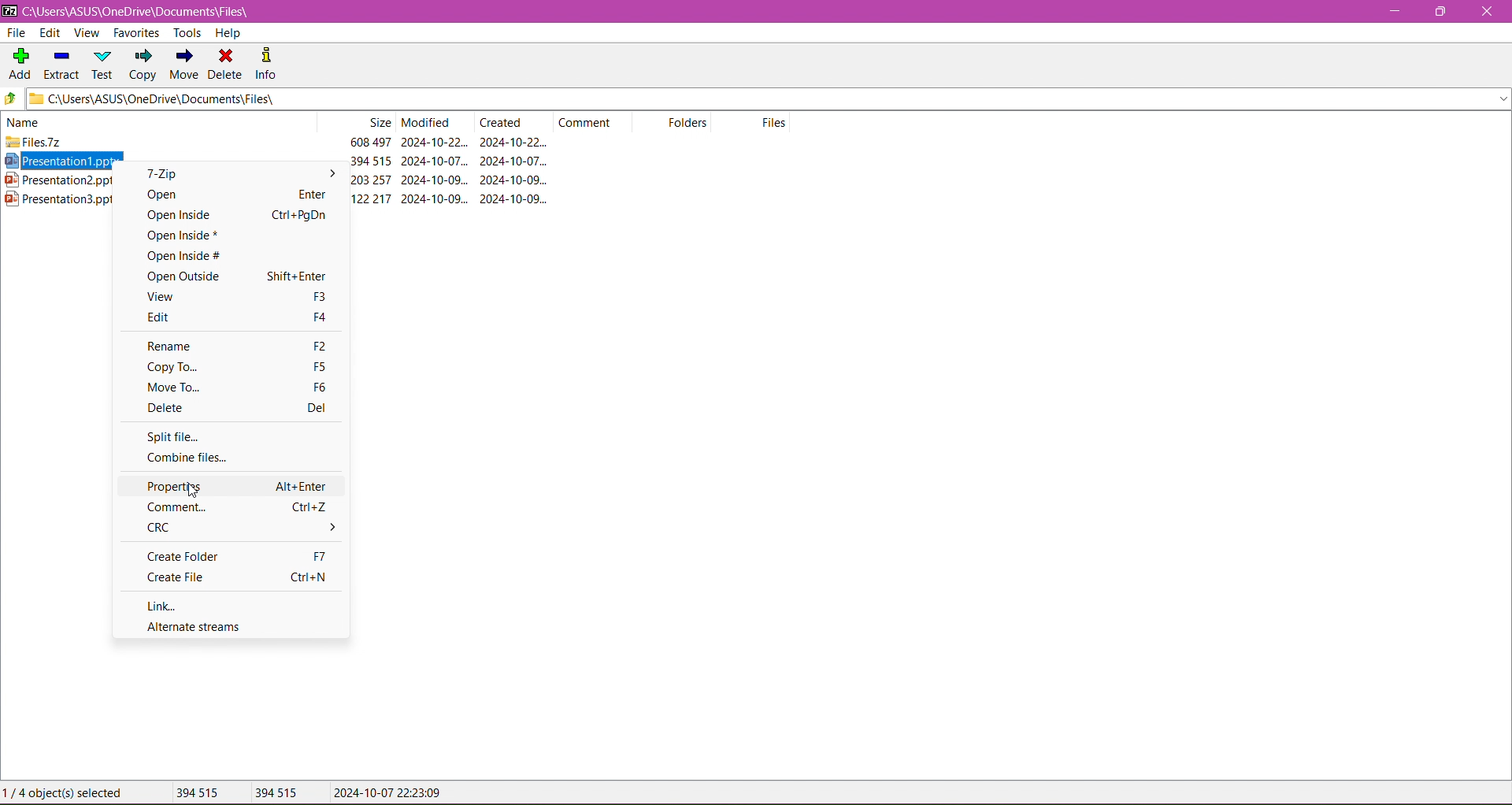 The width and height of the screenshot is (1512, 805). I want to click on Edit, so click(236, 318).